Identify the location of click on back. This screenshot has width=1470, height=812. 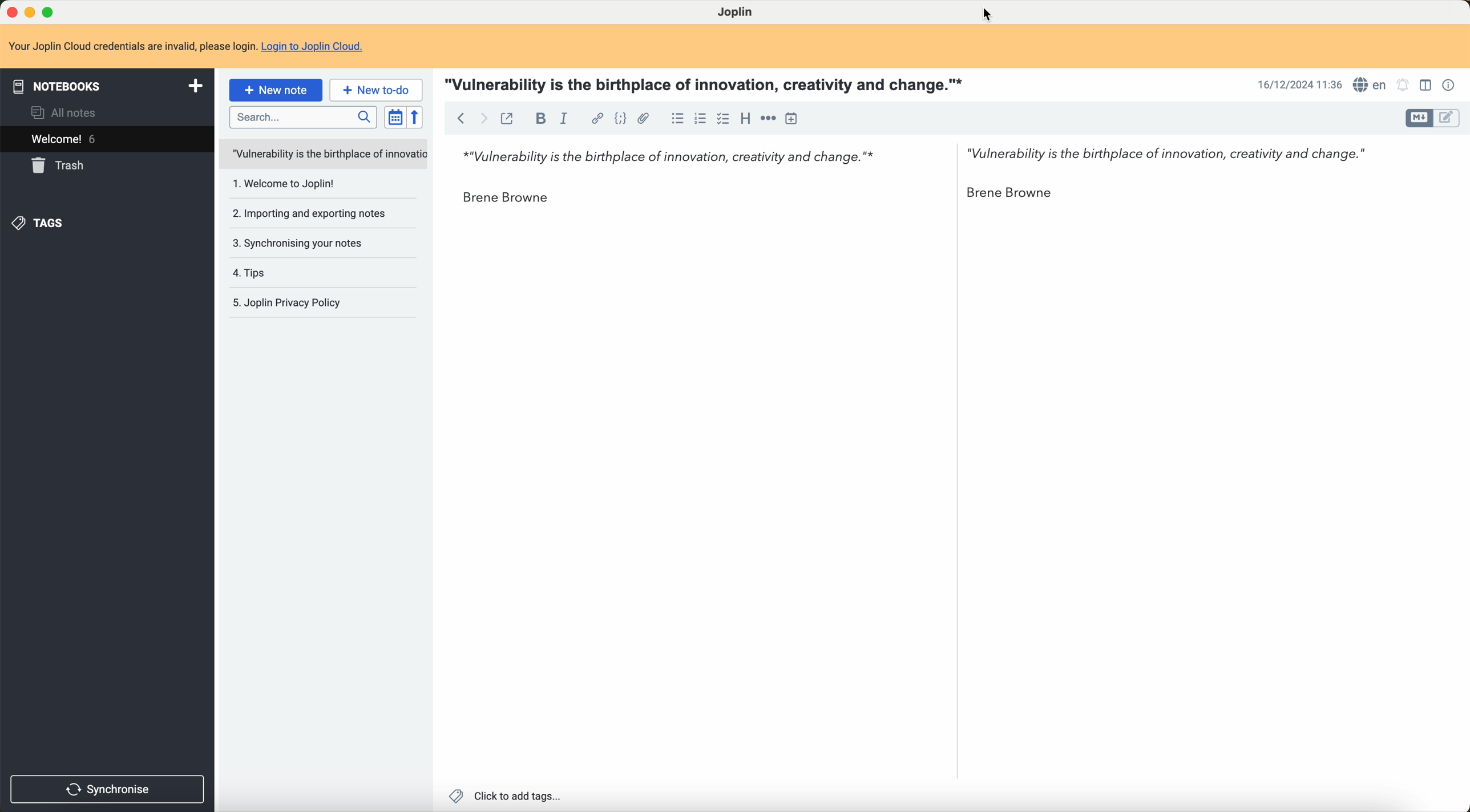
(459, 120).